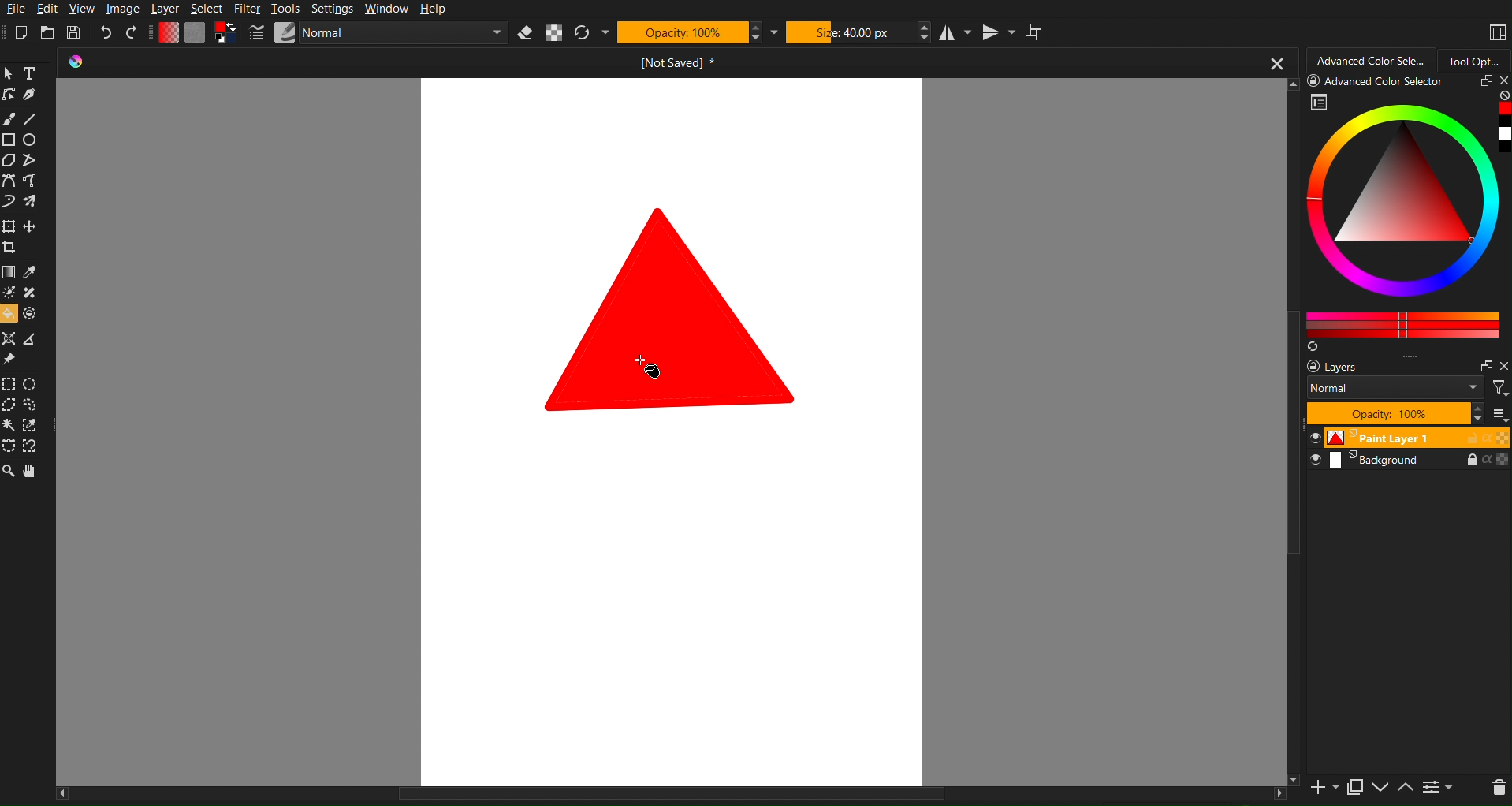  I want to click on restore panel, so click(1483, 83).